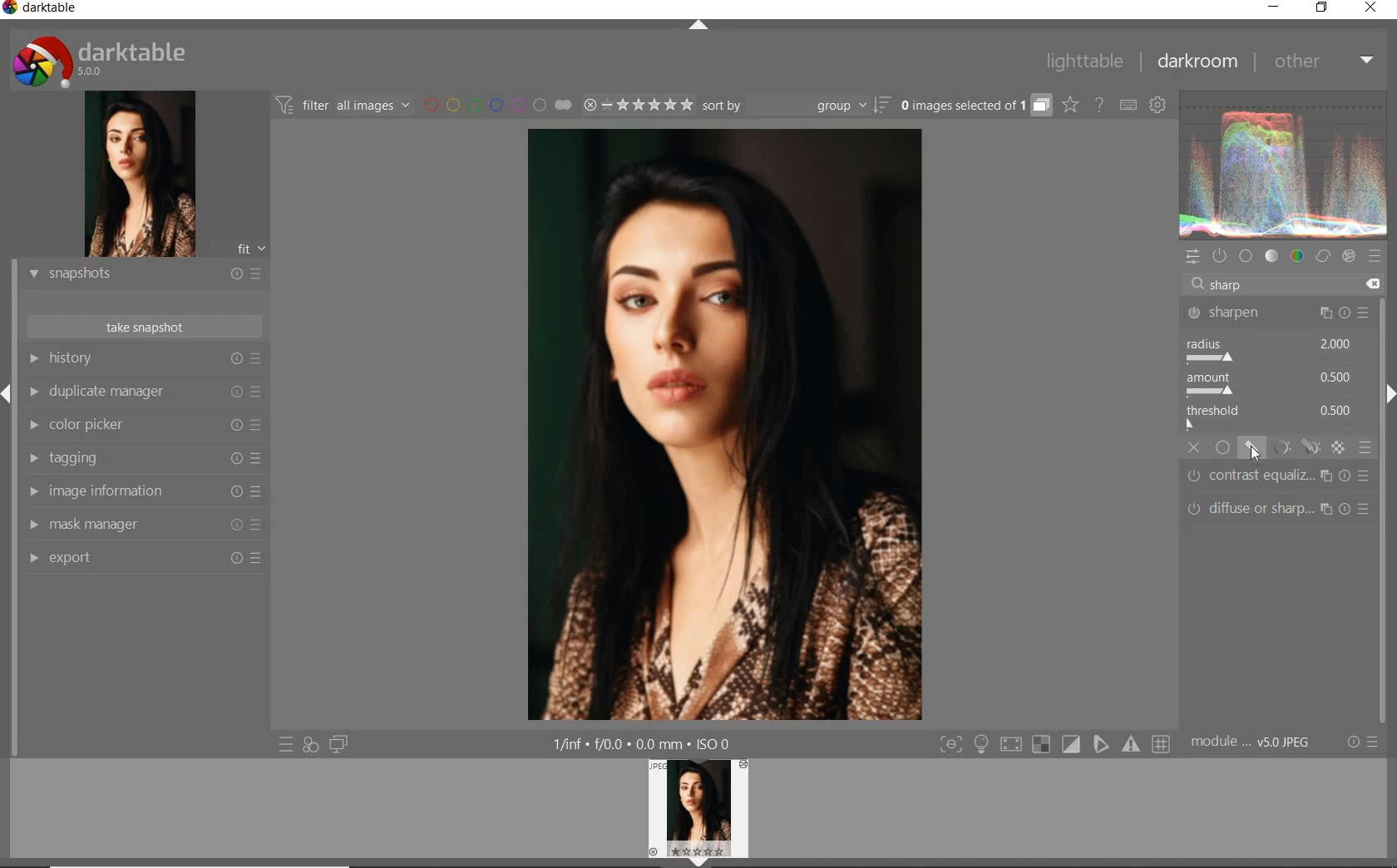  I want to click on reset or presets and preferences, so click(1363, 742).